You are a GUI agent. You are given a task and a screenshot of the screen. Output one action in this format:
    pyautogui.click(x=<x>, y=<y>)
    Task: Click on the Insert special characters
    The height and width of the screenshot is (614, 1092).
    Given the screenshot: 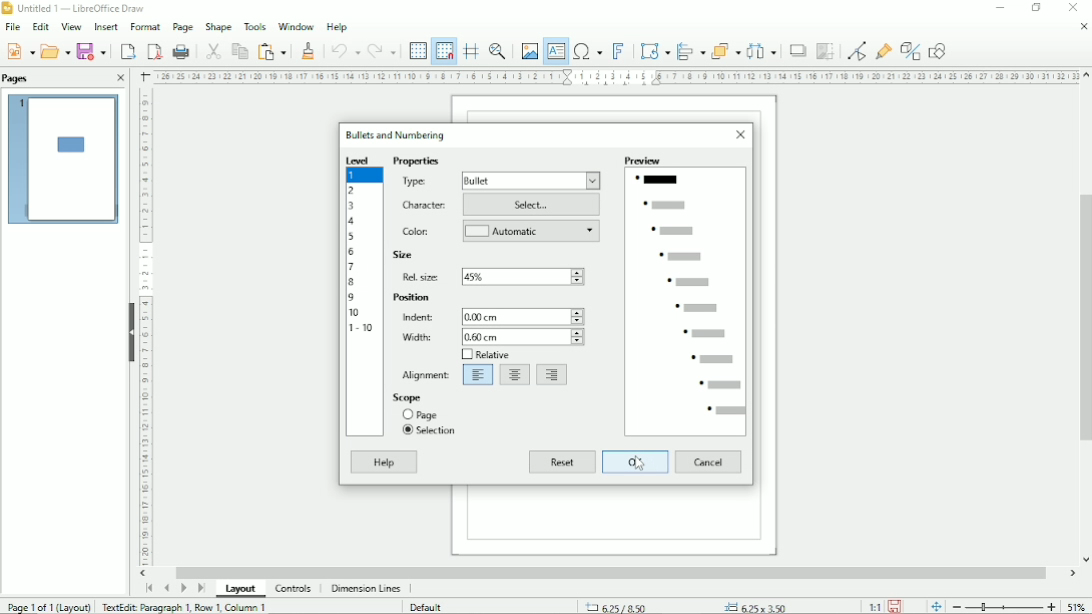 What is the action you would take?
    pyautogui.click(x=587, y=52)
    